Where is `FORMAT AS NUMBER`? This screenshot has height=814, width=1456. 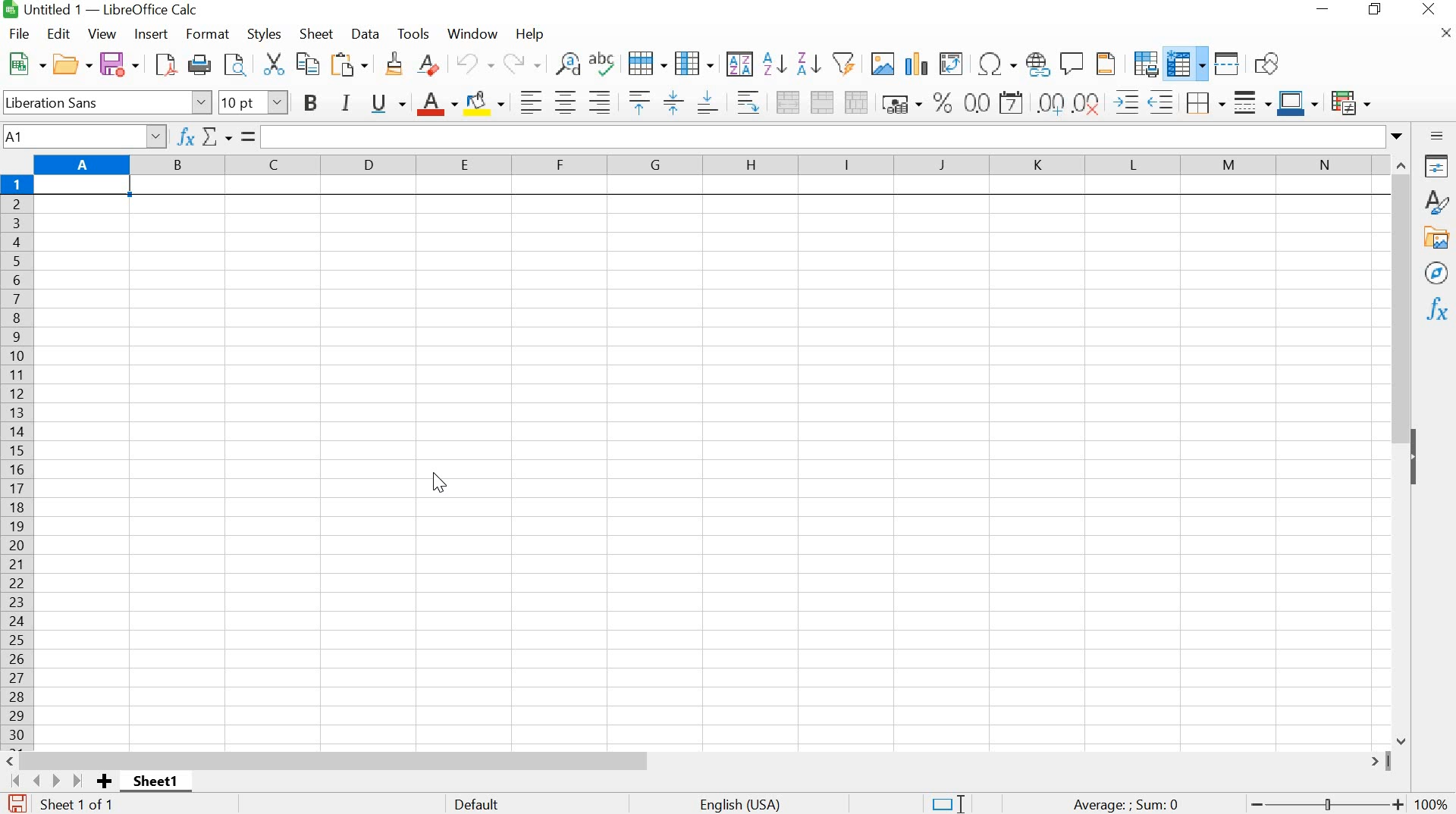
FORMAT AS NUMBER is located at coordinates (977, 102).